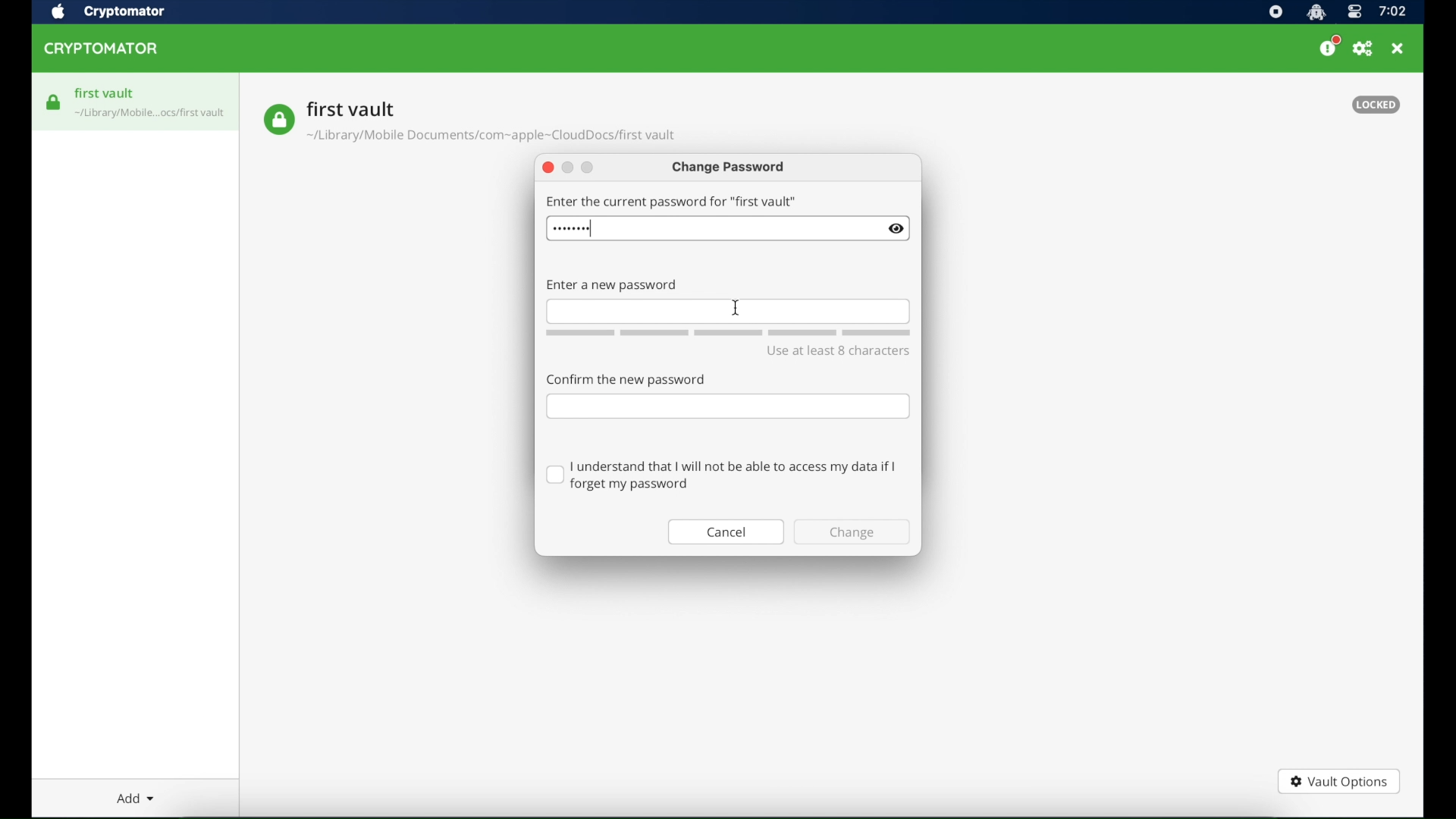 The width and height of the screenshot is (1456, 819). I want to click on checkbox, so click(723, 475).